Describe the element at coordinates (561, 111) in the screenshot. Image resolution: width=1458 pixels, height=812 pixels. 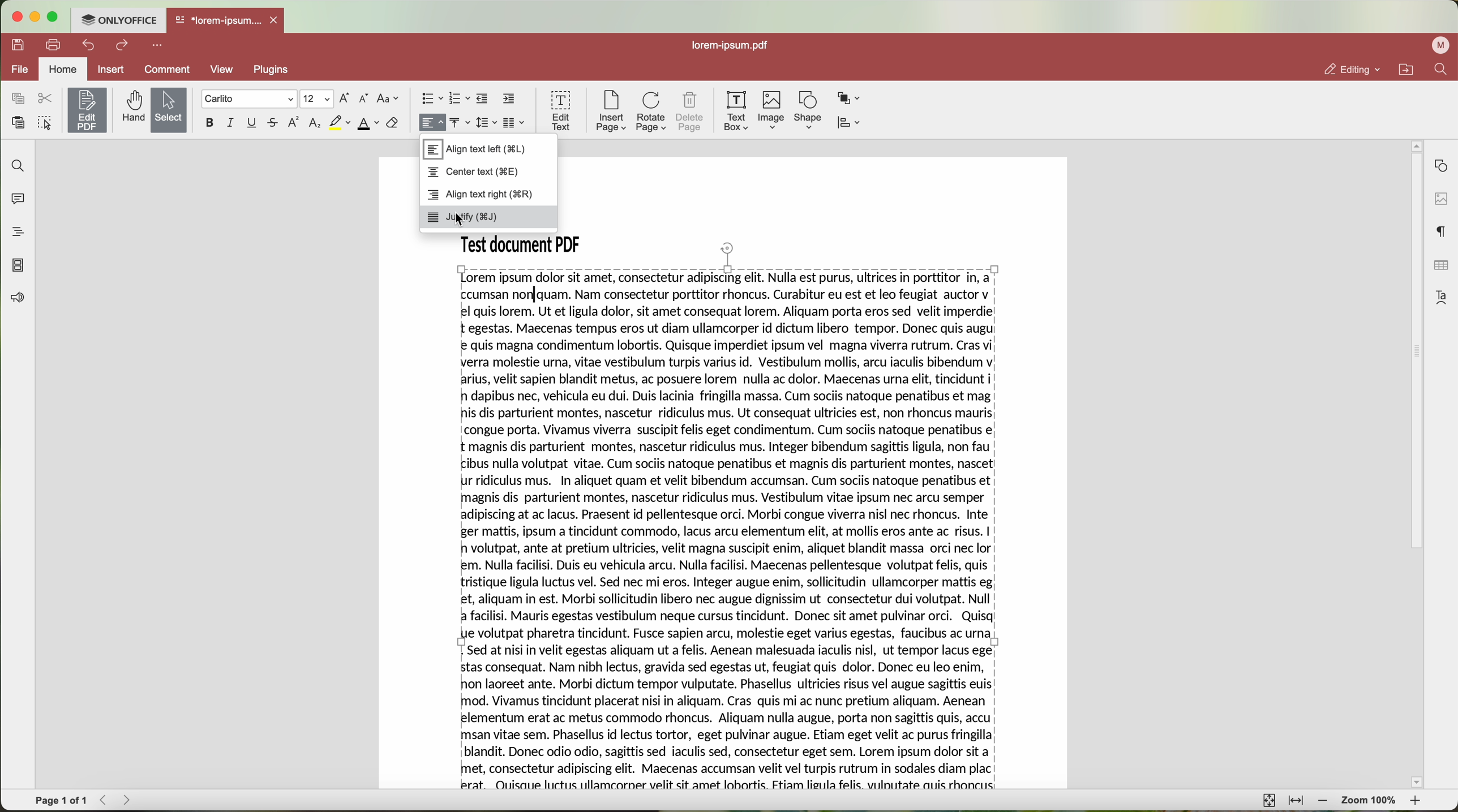
I see `edit text` at that location.